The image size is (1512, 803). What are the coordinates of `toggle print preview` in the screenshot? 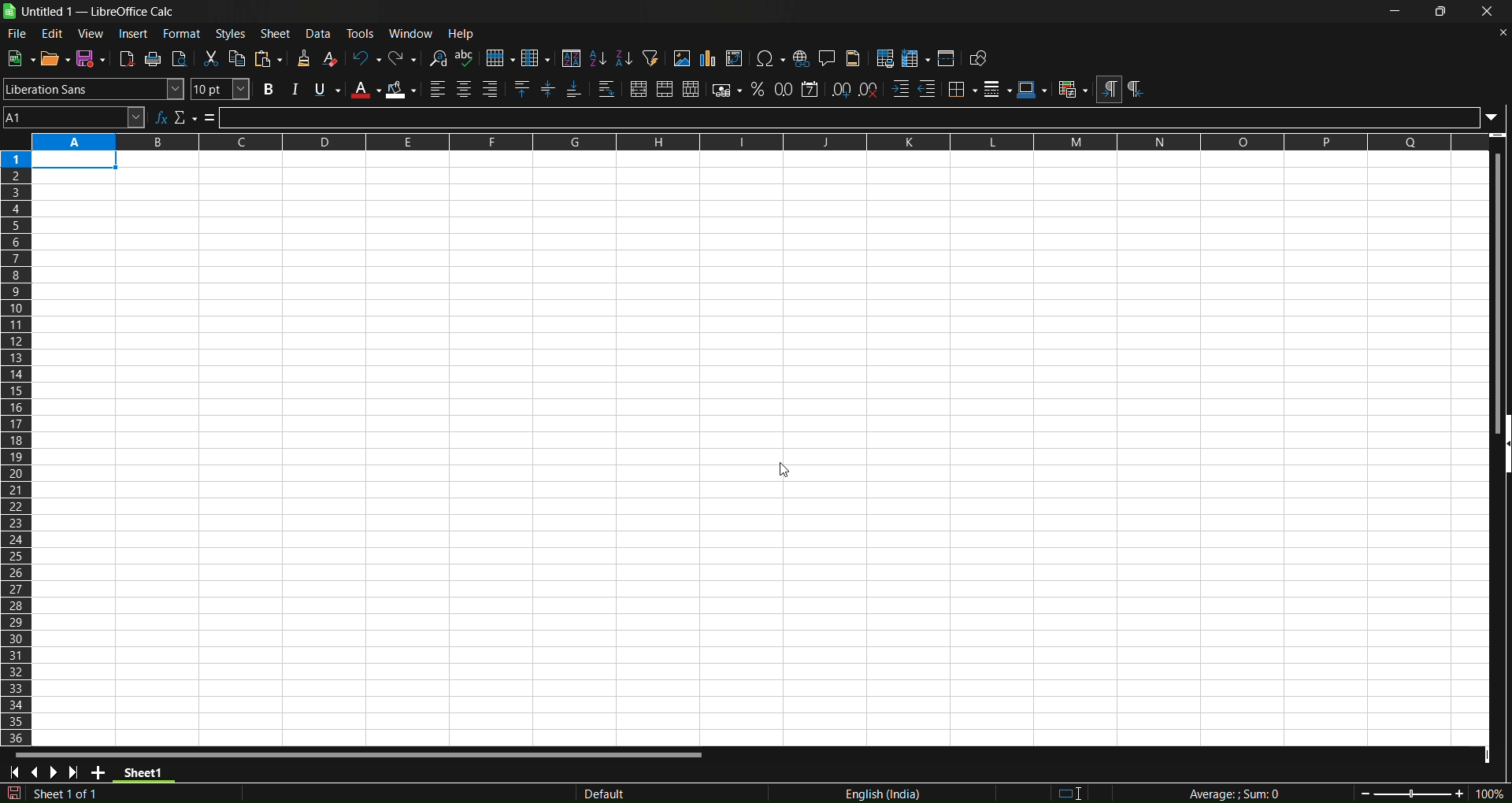 It's located at (180, 59).